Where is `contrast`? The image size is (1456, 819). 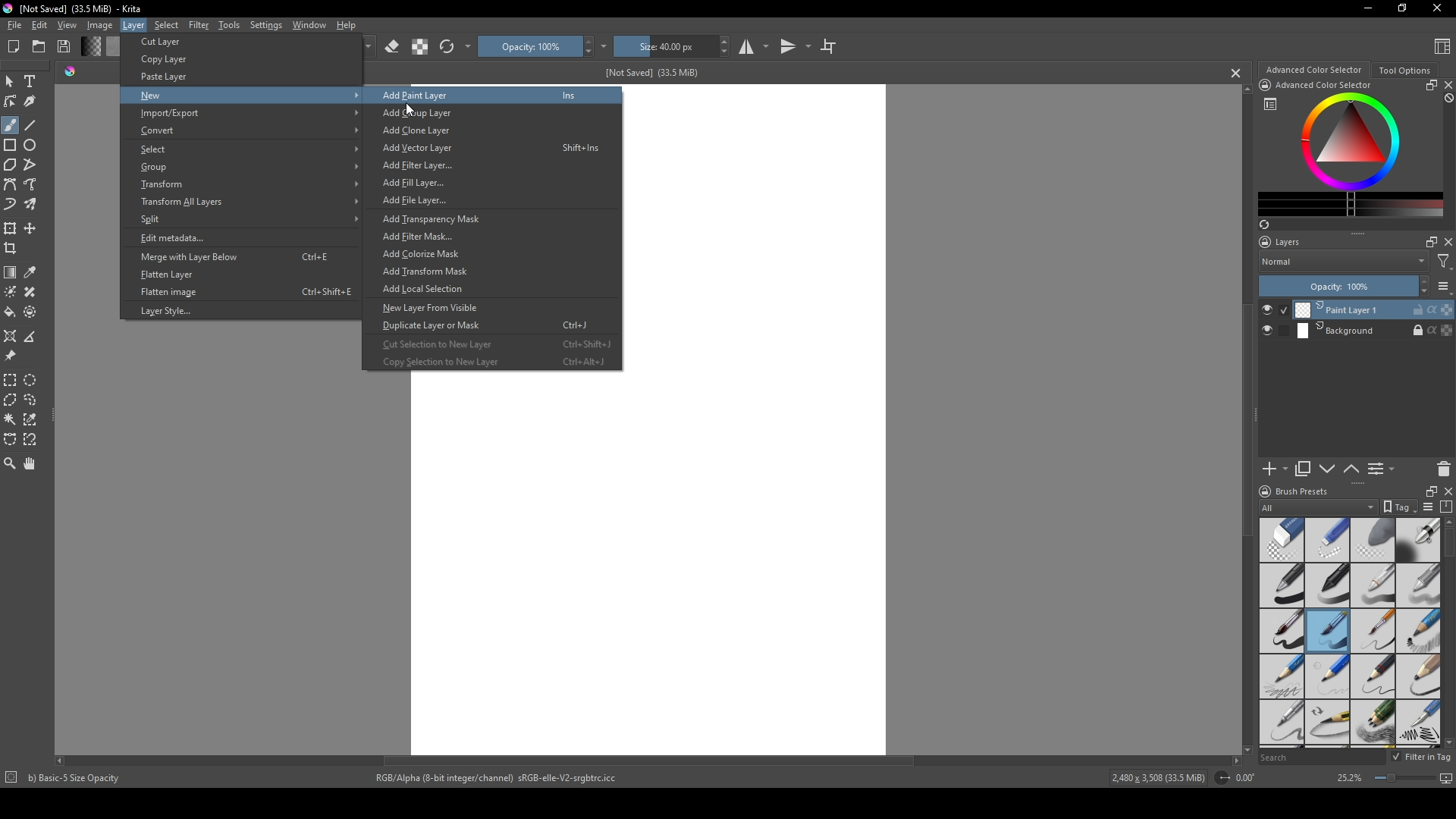 contrast is located at coordinates (419, 46).